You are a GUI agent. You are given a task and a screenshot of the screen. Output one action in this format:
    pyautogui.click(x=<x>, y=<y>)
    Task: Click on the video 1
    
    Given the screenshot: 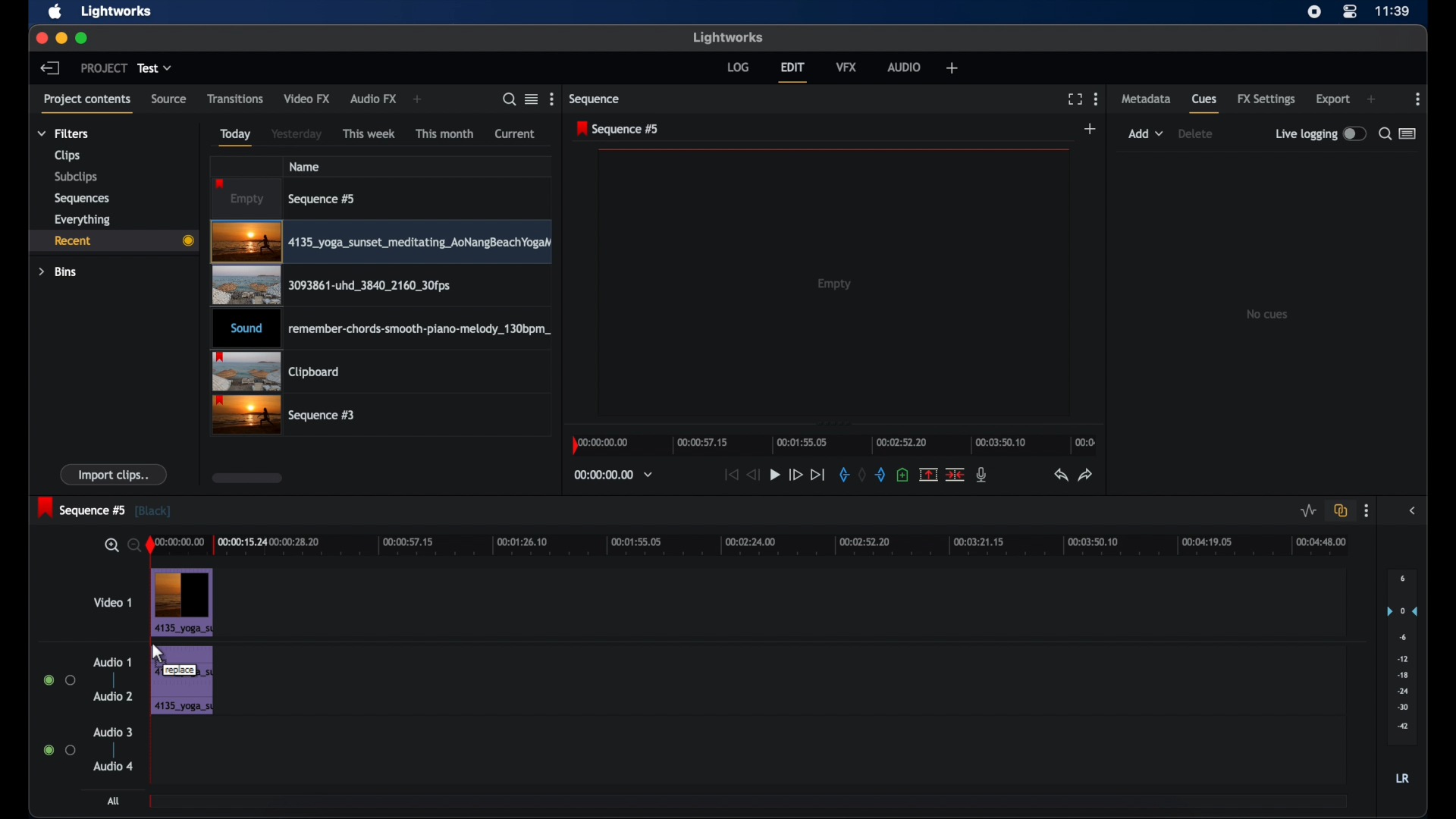 What is the action you would take?
    pyautogui.click(x=115, y=602)
    